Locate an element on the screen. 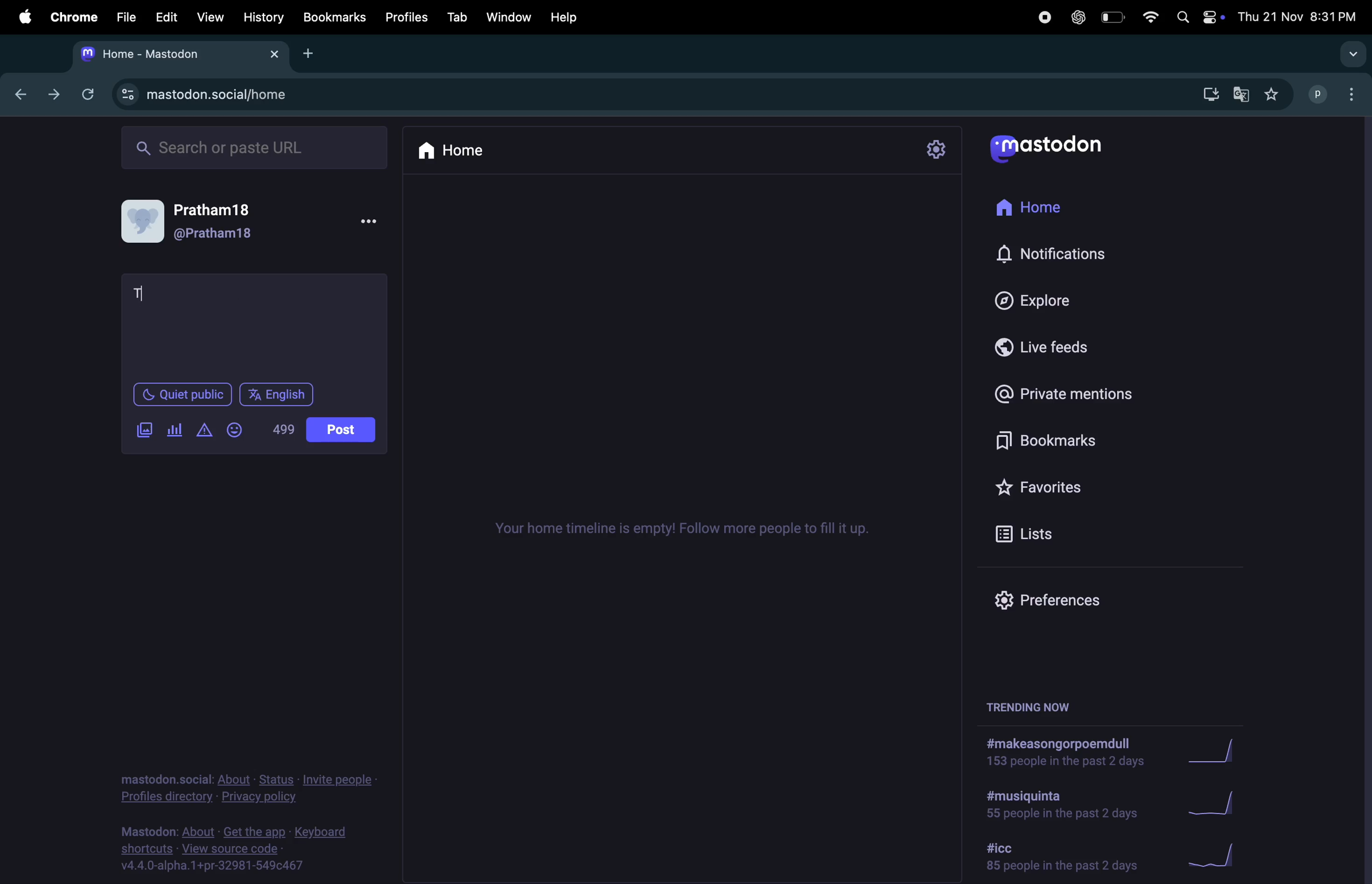 This screenshot has height=884, width=1372. apple menu is located at coordinates (22, 15).